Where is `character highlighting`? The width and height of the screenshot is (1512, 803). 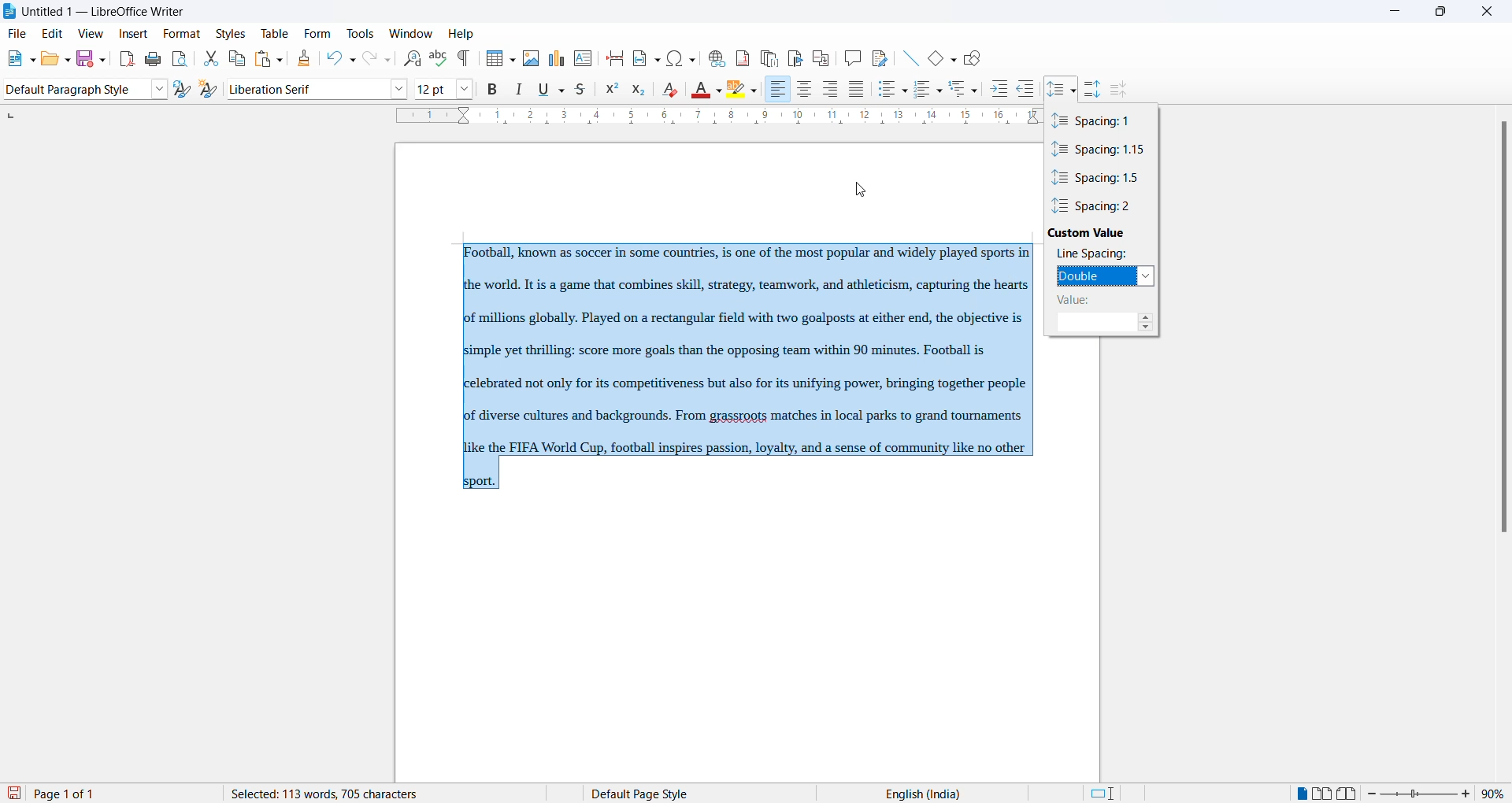 character highlighting is located at coordinates (738, 90).